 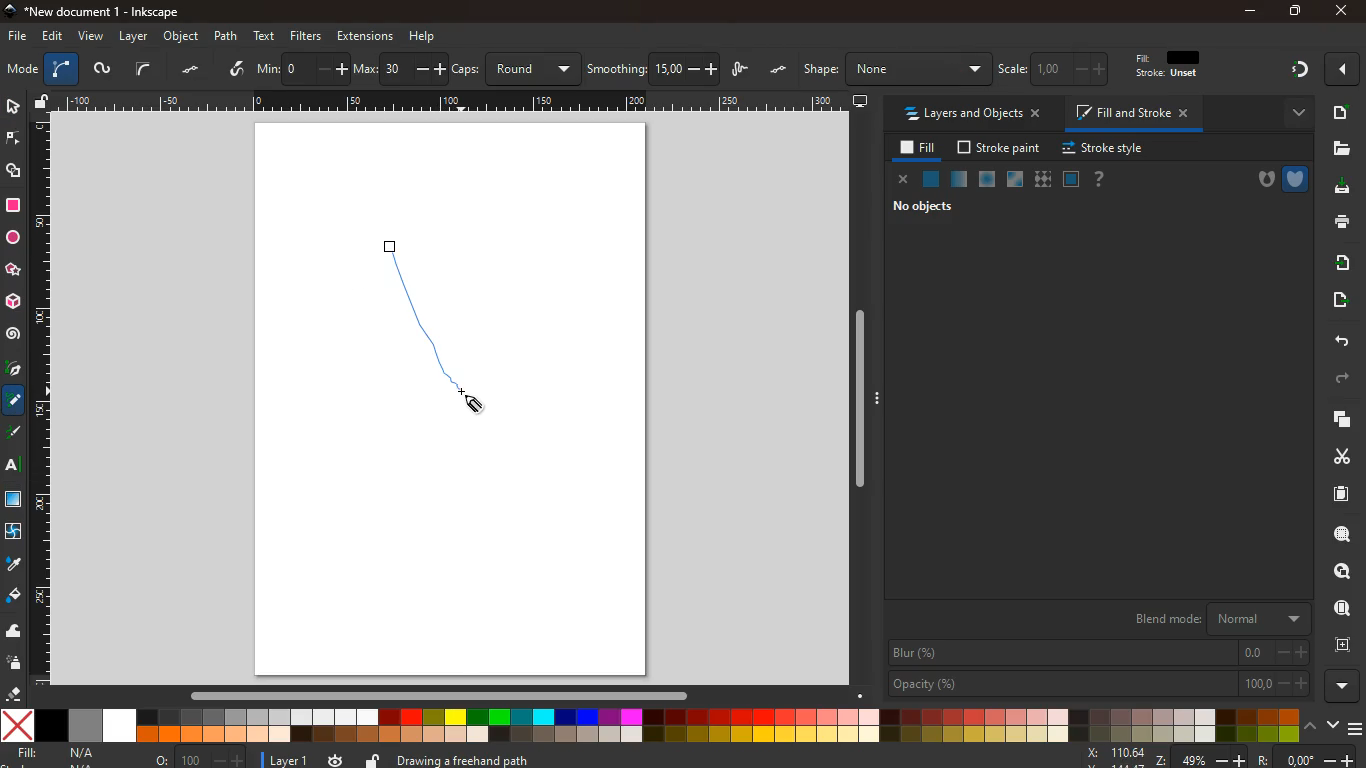 What do you see at coordinates (1016, 180) in the screenshot?
I see `window` at bounding box center [1016, 180].